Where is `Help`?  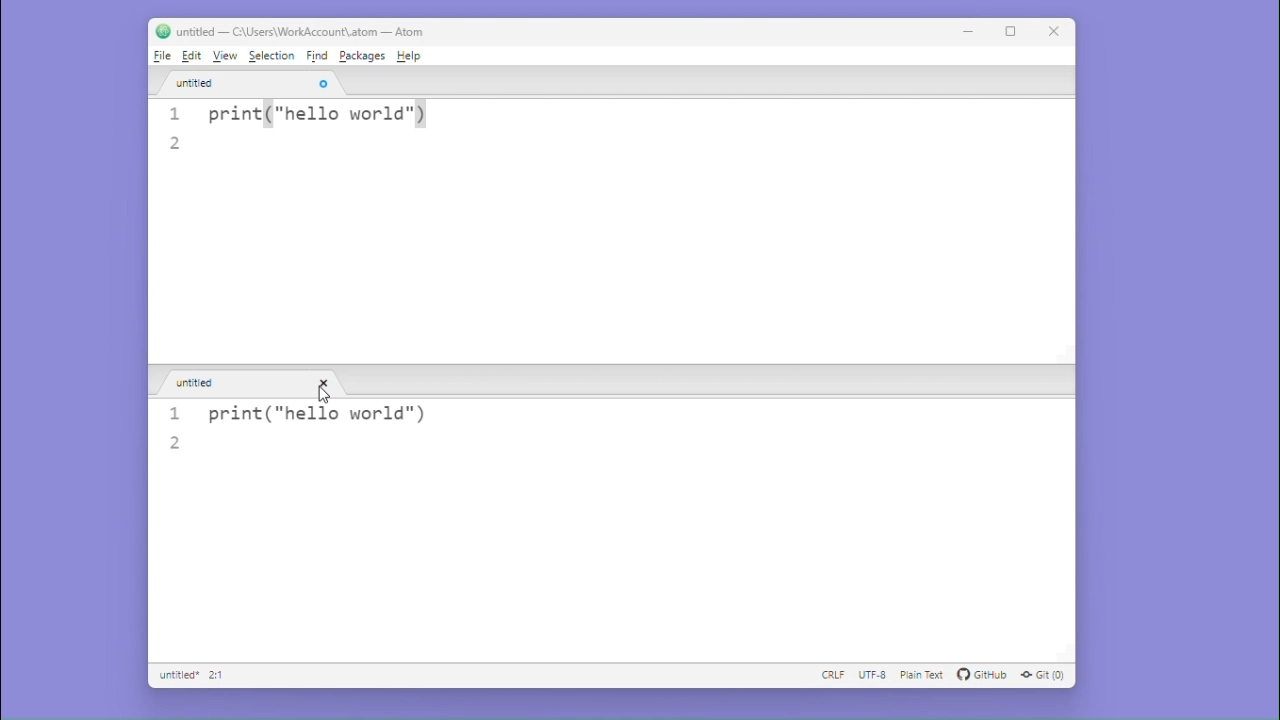 Help is located at coordinates (414, 57).